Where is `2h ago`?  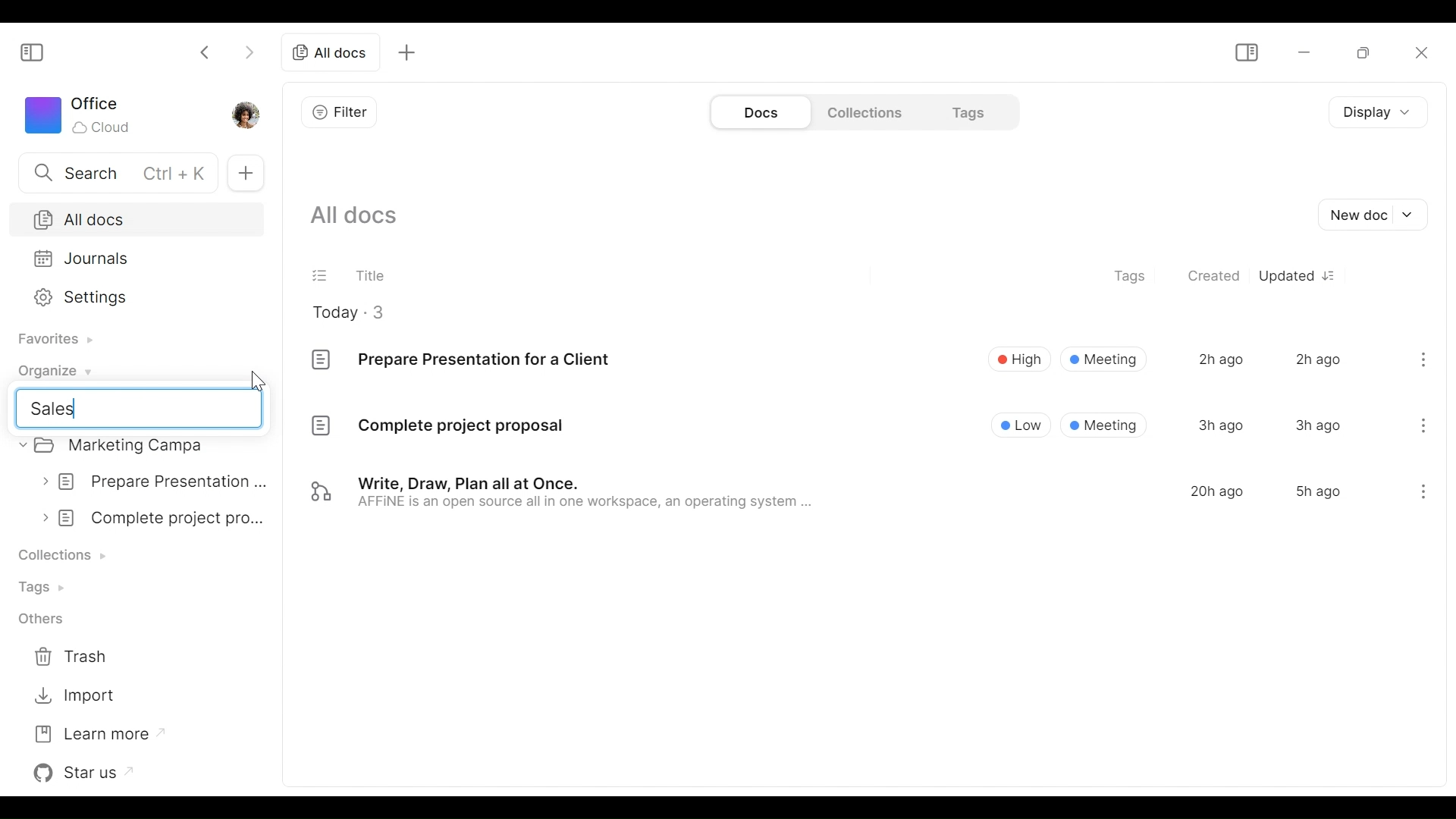 2h ago is located at coordinates (1318, 358).